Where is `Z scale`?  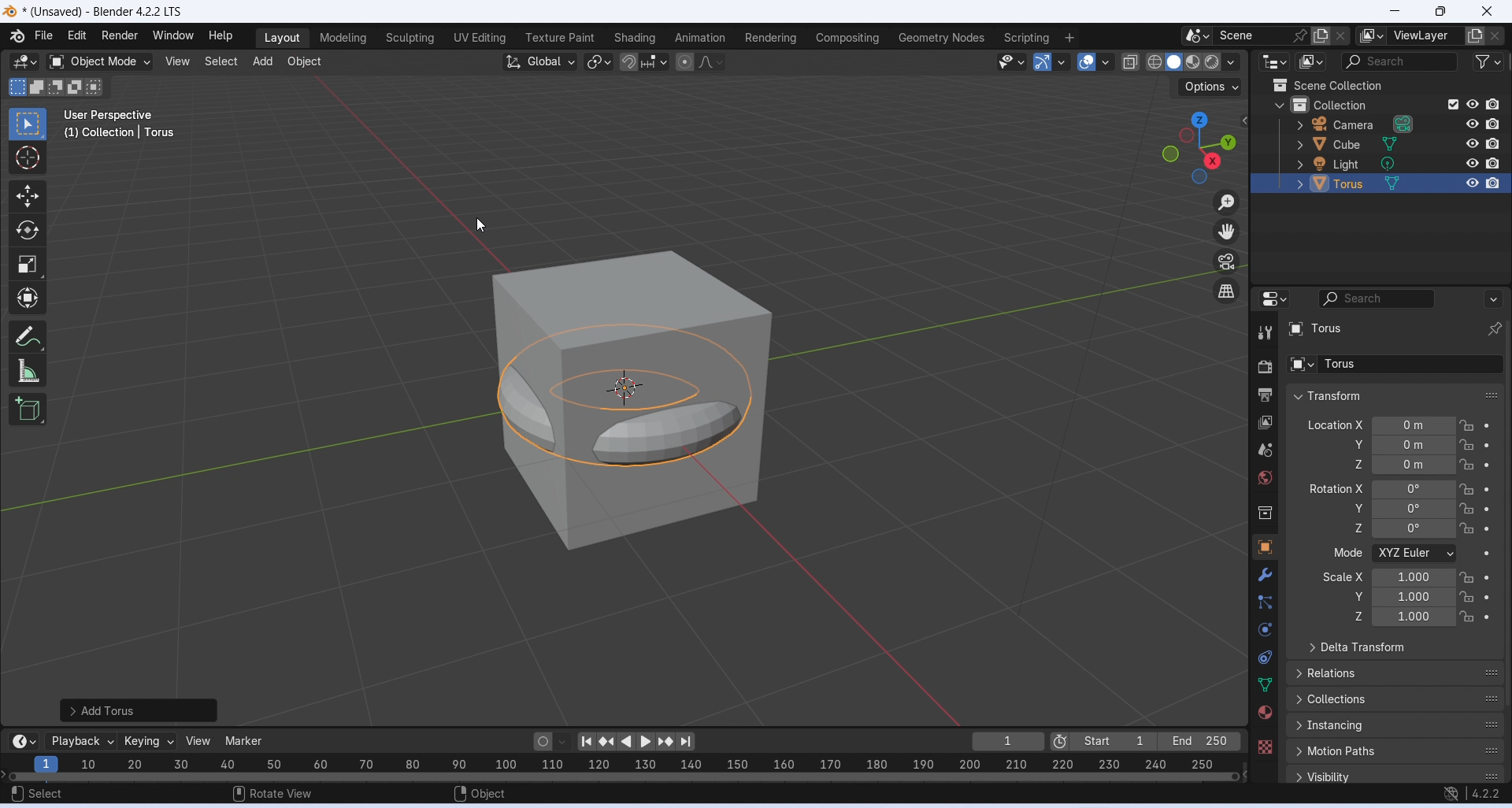
Z scale is located at coordinates (1432, 617).